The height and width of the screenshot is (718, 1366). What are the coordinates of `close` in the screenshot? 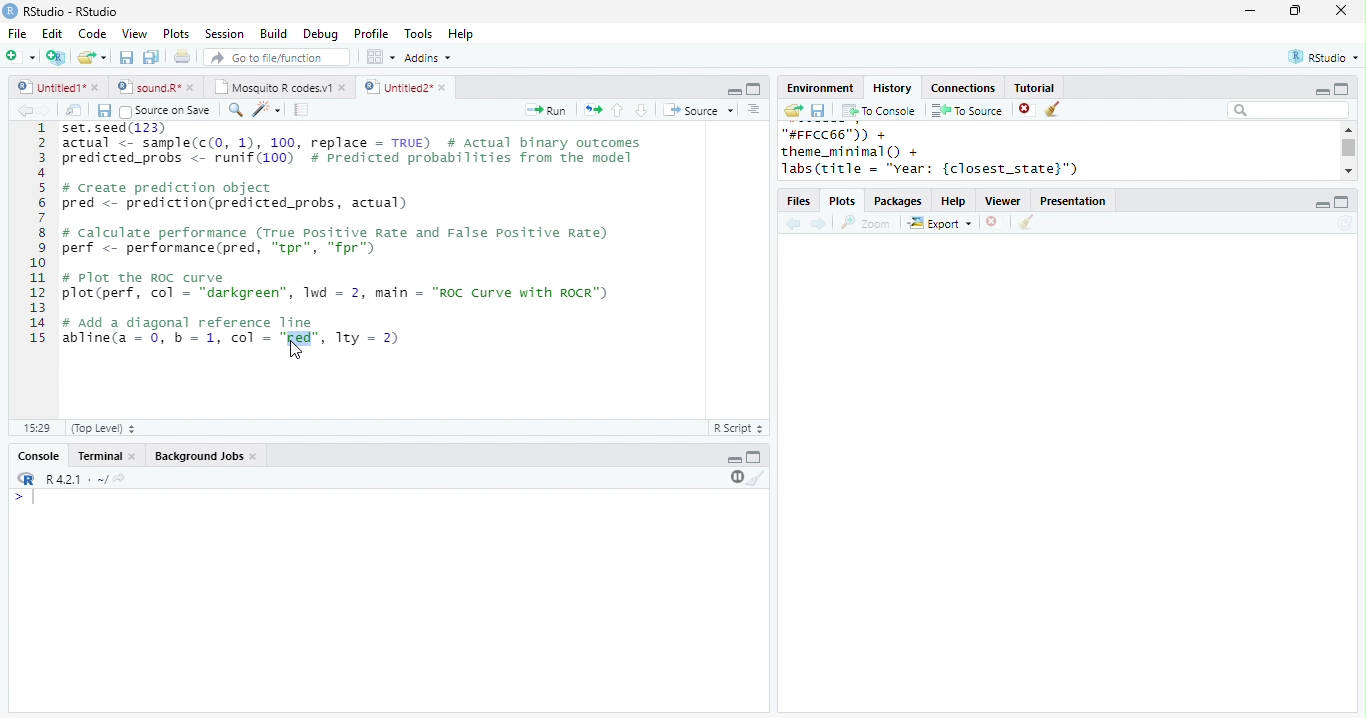 It's located at (134, 457).